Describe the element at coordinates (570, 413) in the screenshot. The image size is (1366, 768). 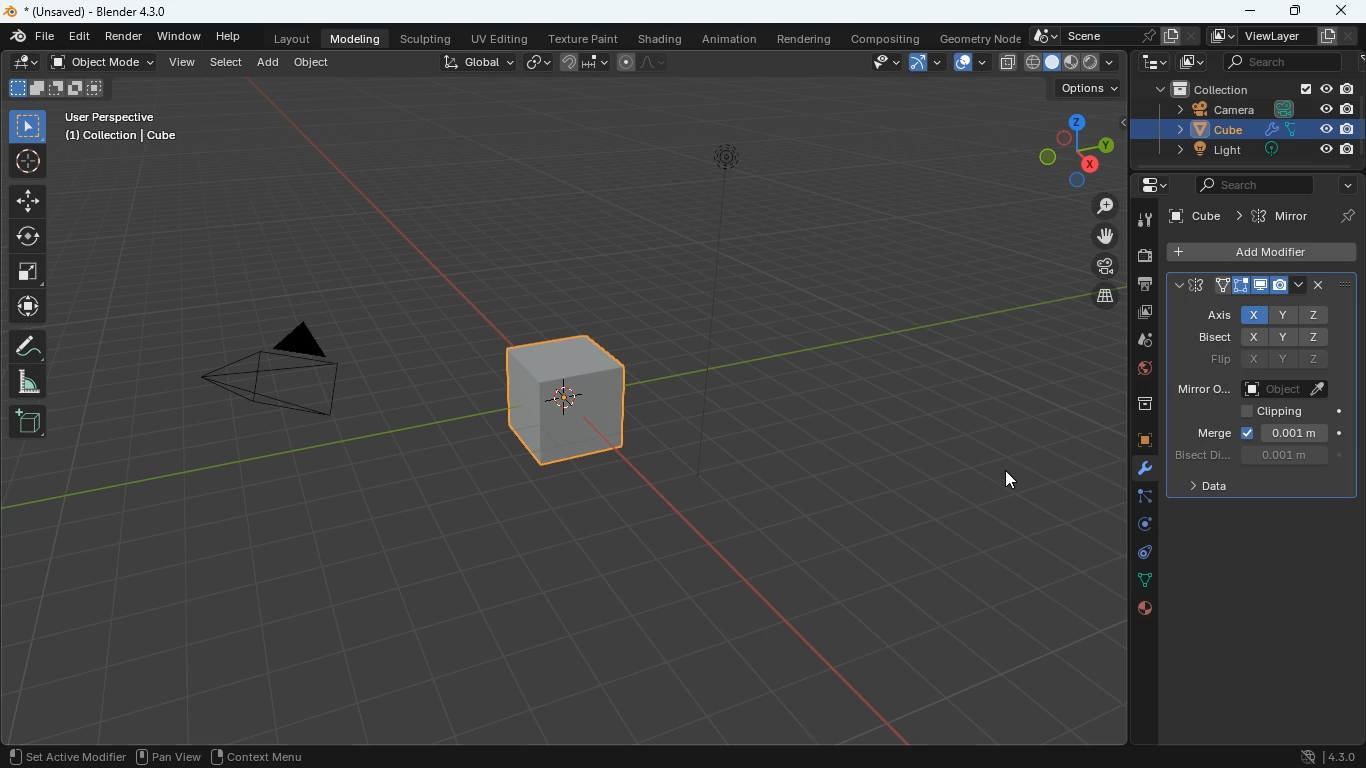
I see `cube` at that location.